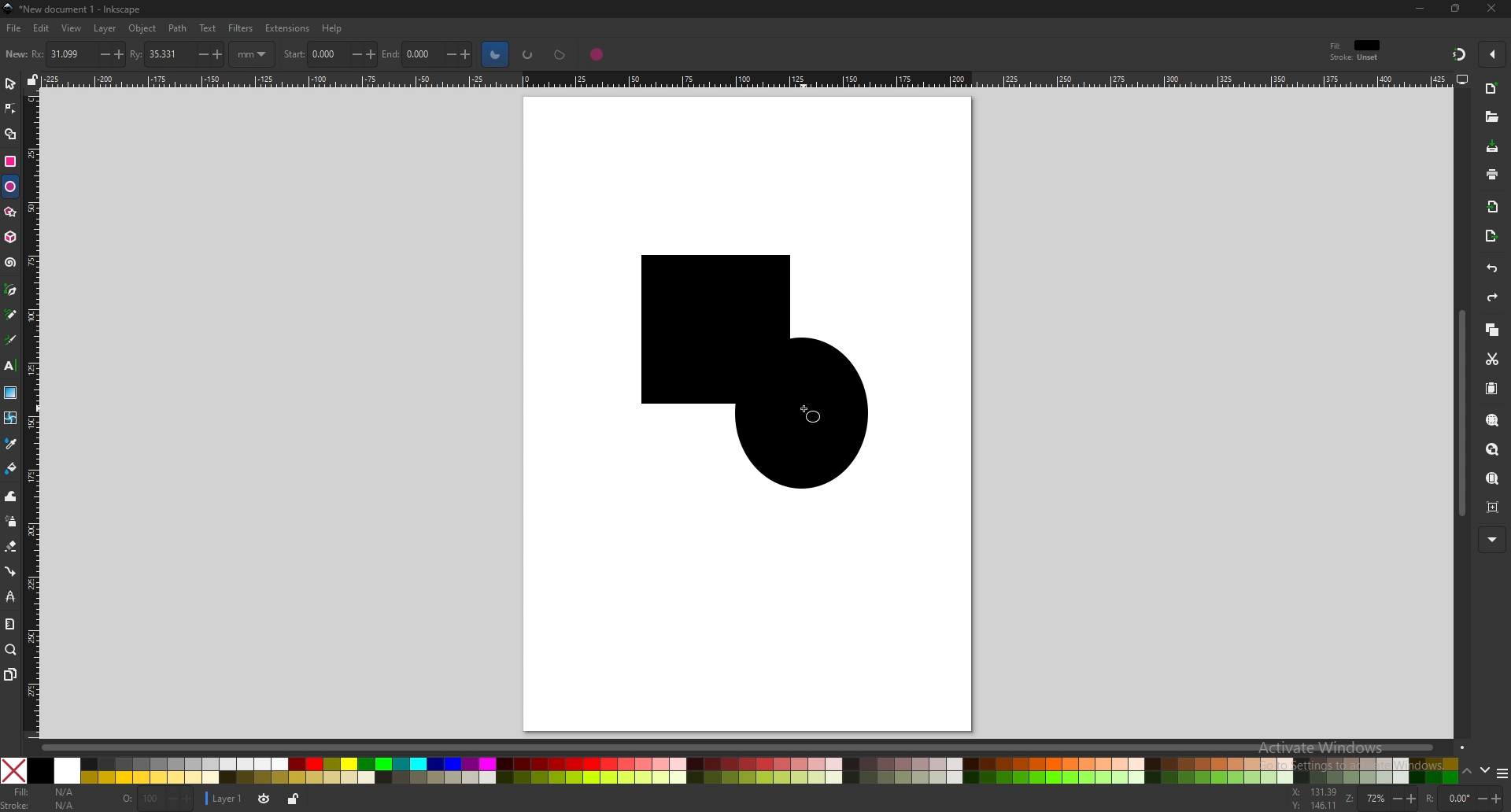 The image size is (1511, 812). Describe the element at coordinates (1469, 772) in the screenshot. I see `up` at that location.